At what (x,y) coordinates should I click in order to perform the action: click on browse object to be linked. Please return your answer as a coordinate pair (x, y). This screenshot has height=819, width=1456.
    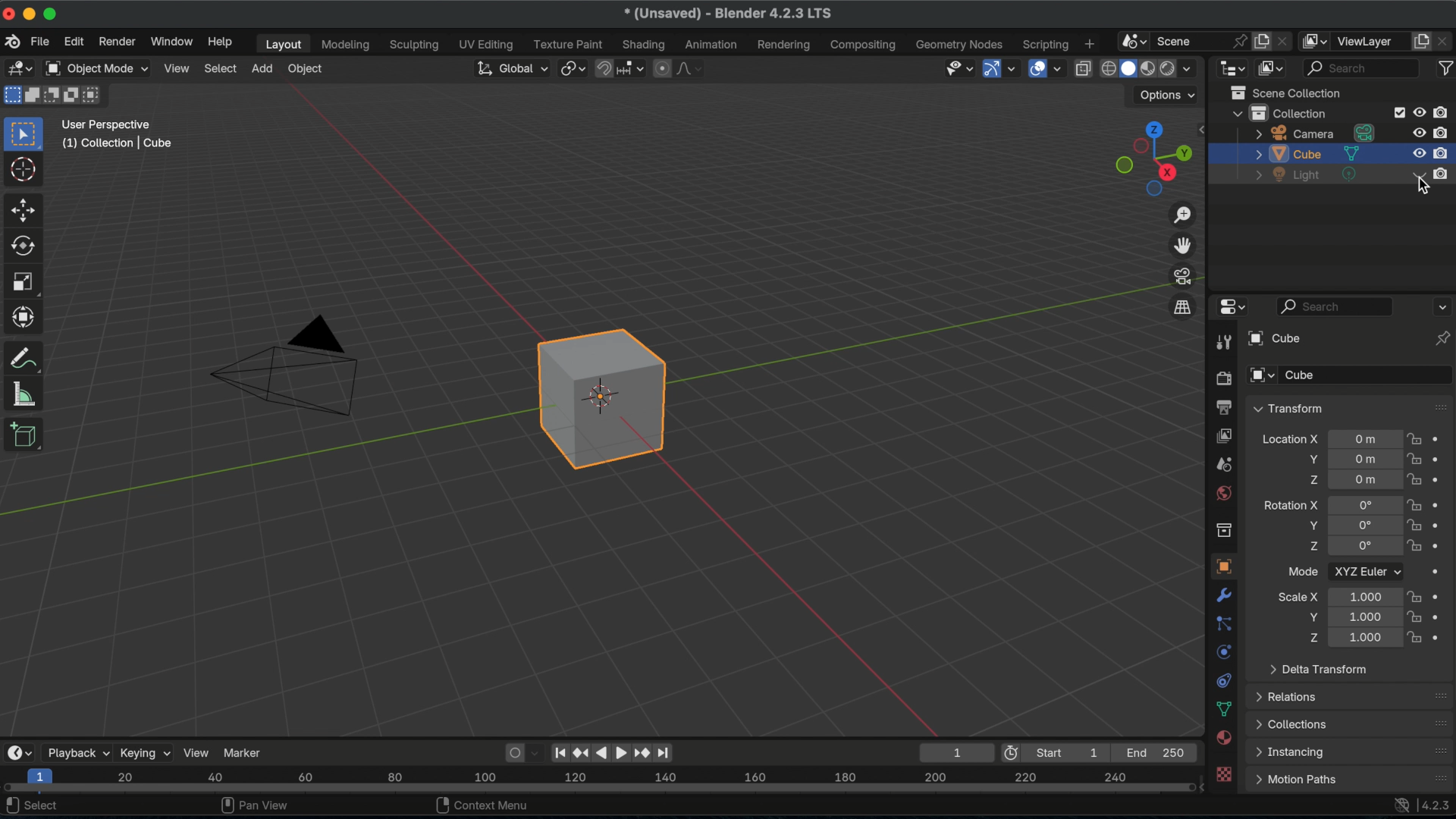
    Looking at the image, I should click on (1260, 375).